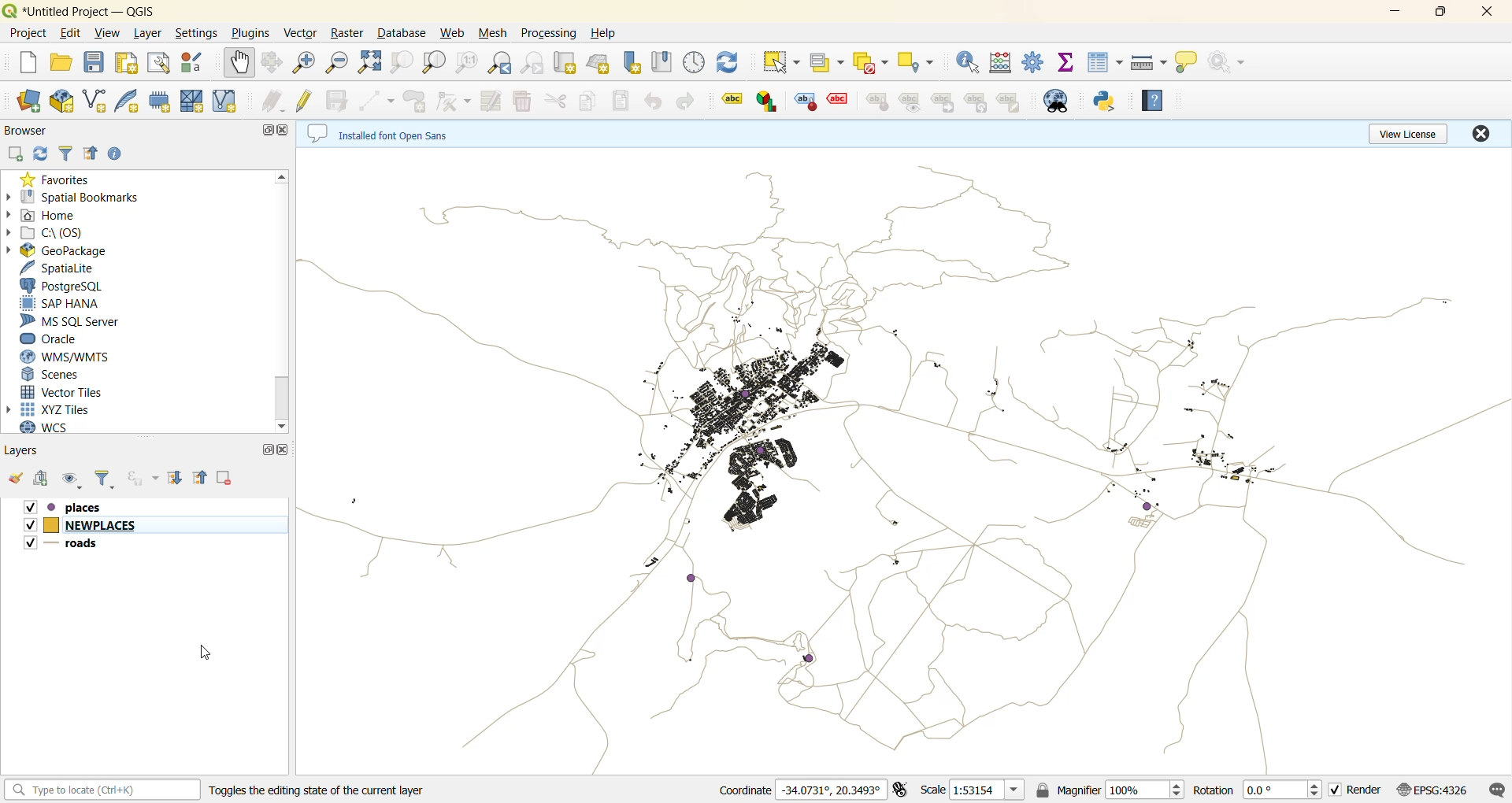 The image size is (1512, 803). Describe the element at coordinates (603, 33) in the screenshot. I see `help` at that location.